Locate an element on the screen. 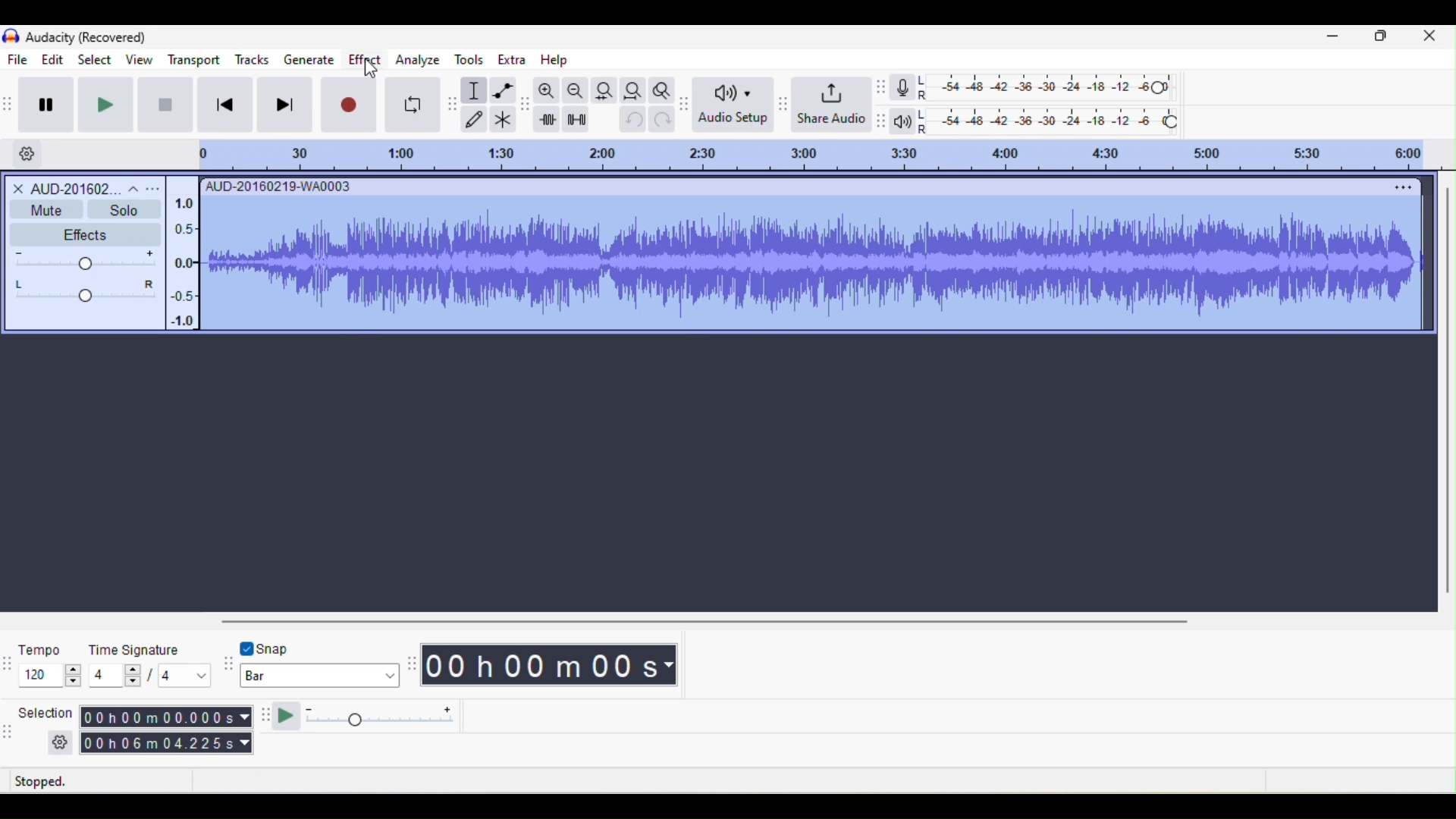  fit selection to width is located at coordinates (604, 89).